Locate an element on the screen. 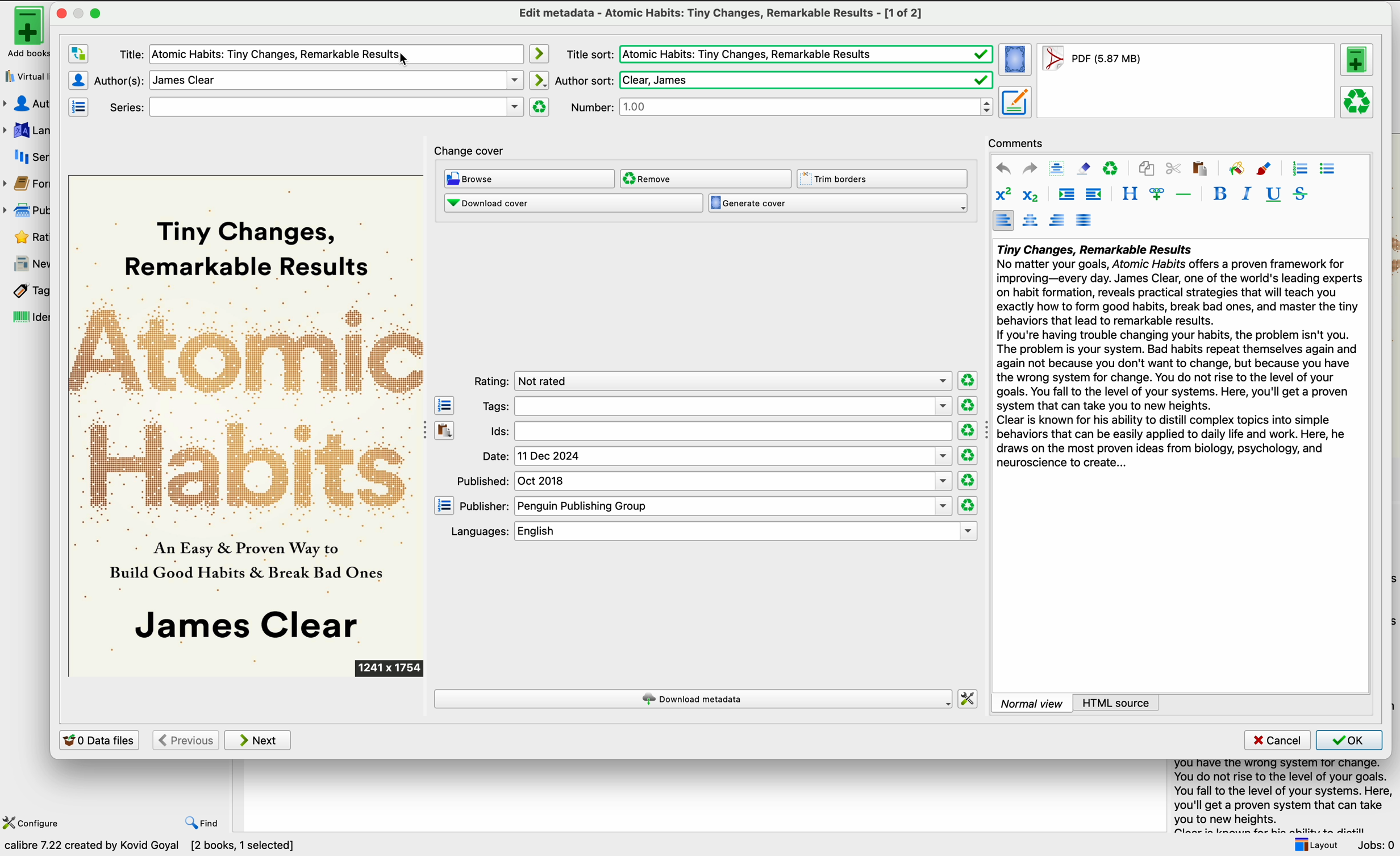  identifiers is located at coordinates (24, 318).